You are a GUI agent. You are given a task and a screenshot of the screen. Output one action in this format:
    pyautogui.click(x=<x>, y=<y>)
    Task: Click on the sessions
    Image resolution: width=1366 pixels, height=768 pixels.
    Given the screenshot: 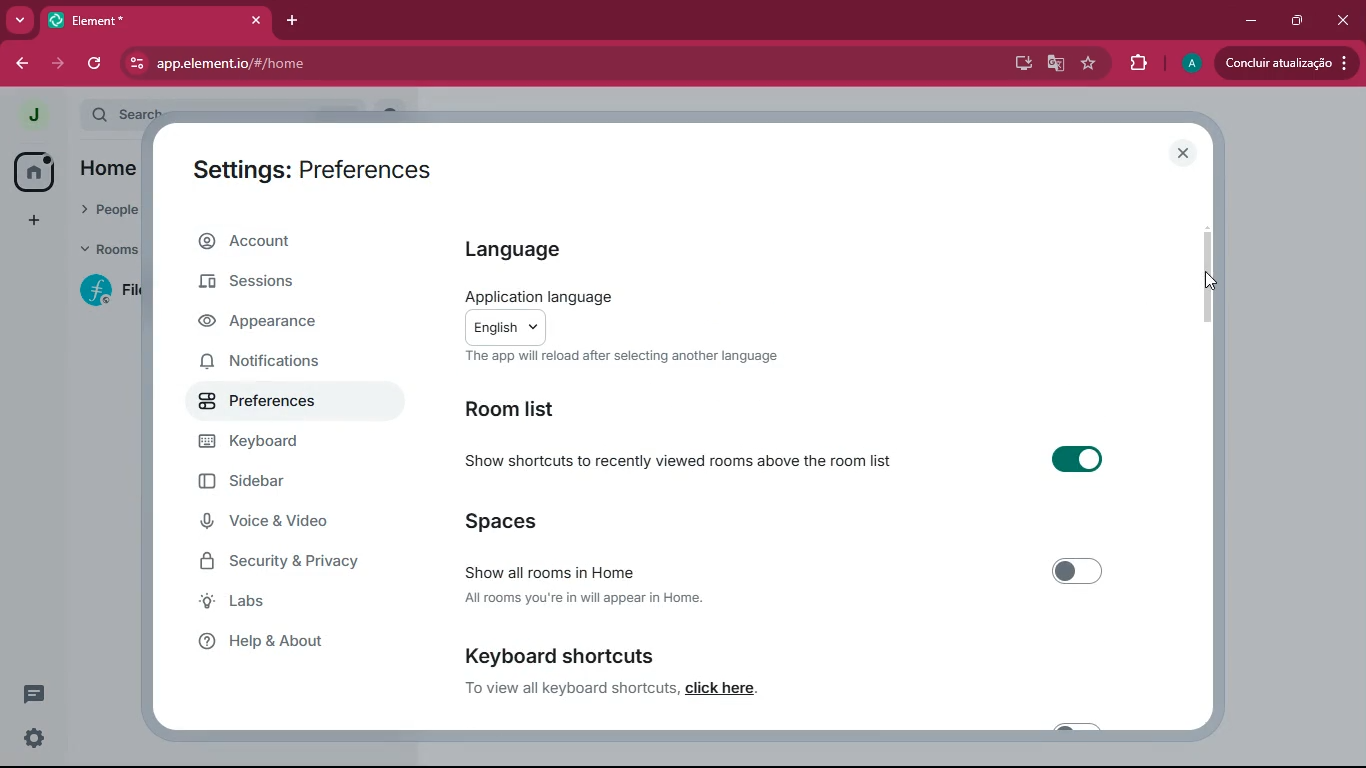 What is the action you would take?
    pyautogui.click(x=283, y=284)
    